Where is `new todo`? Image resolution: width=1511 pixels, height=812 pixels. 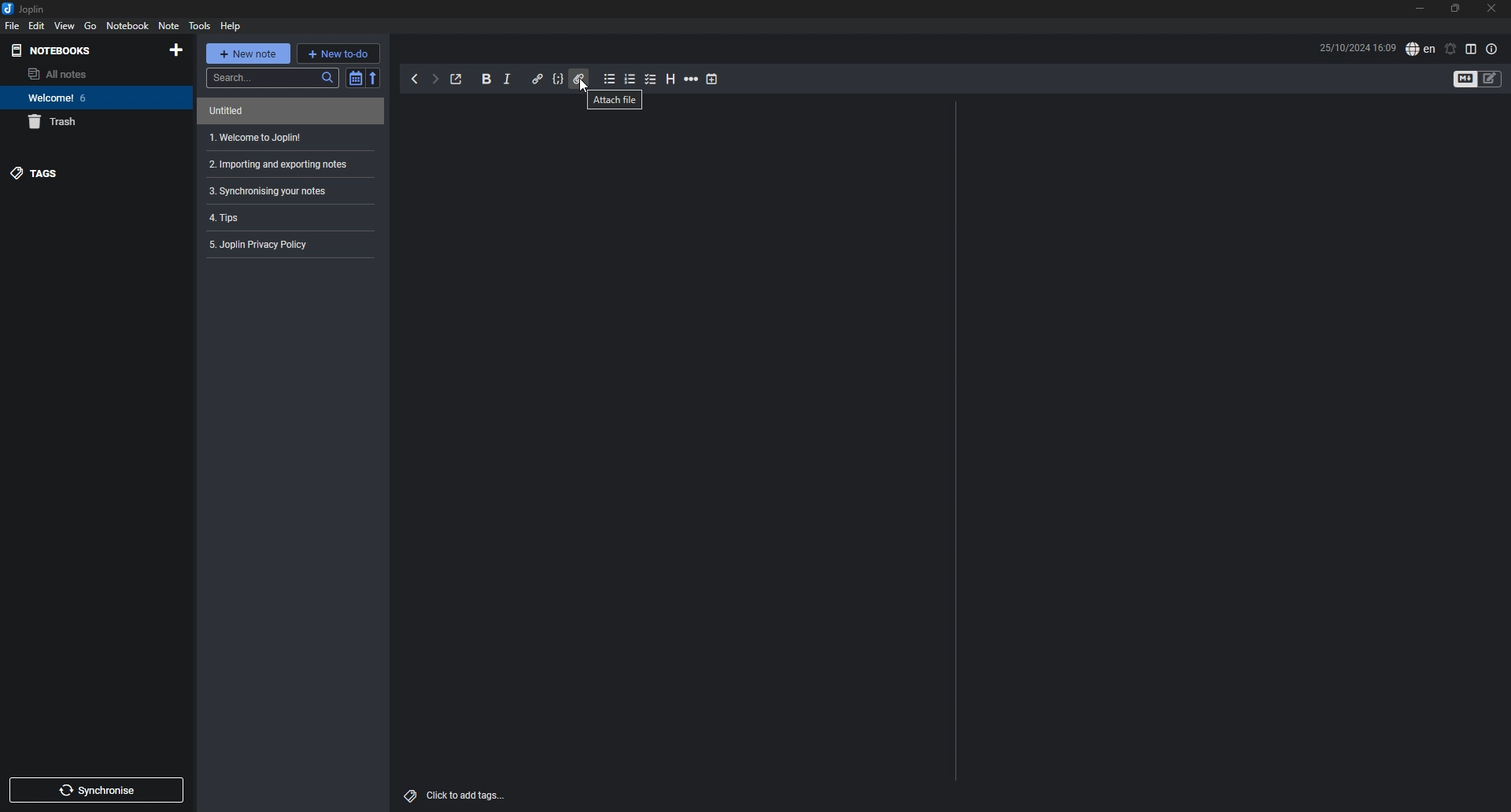 new todo is located at coordinates (338, 53).